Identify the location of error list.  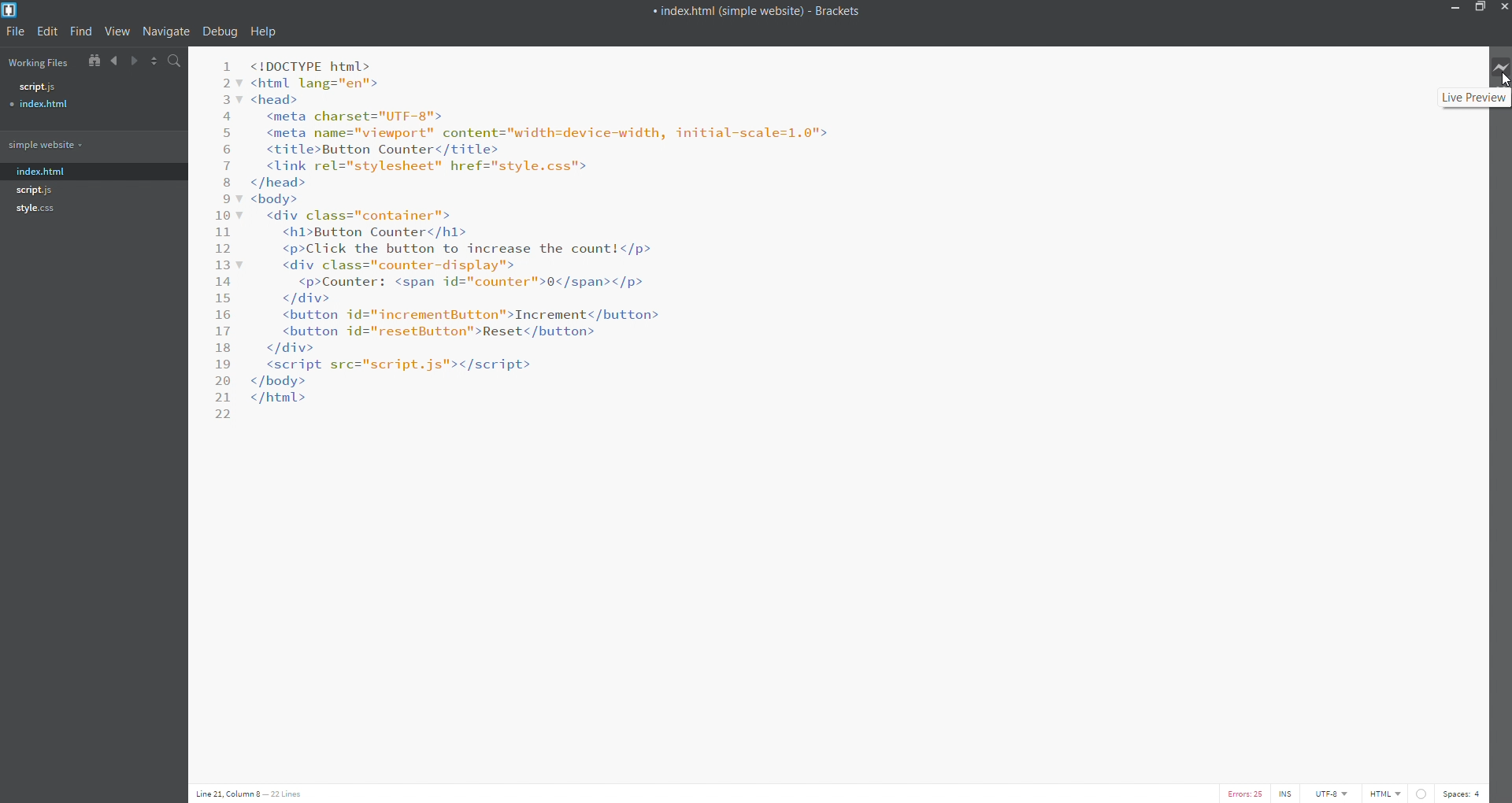
(1243, 794).